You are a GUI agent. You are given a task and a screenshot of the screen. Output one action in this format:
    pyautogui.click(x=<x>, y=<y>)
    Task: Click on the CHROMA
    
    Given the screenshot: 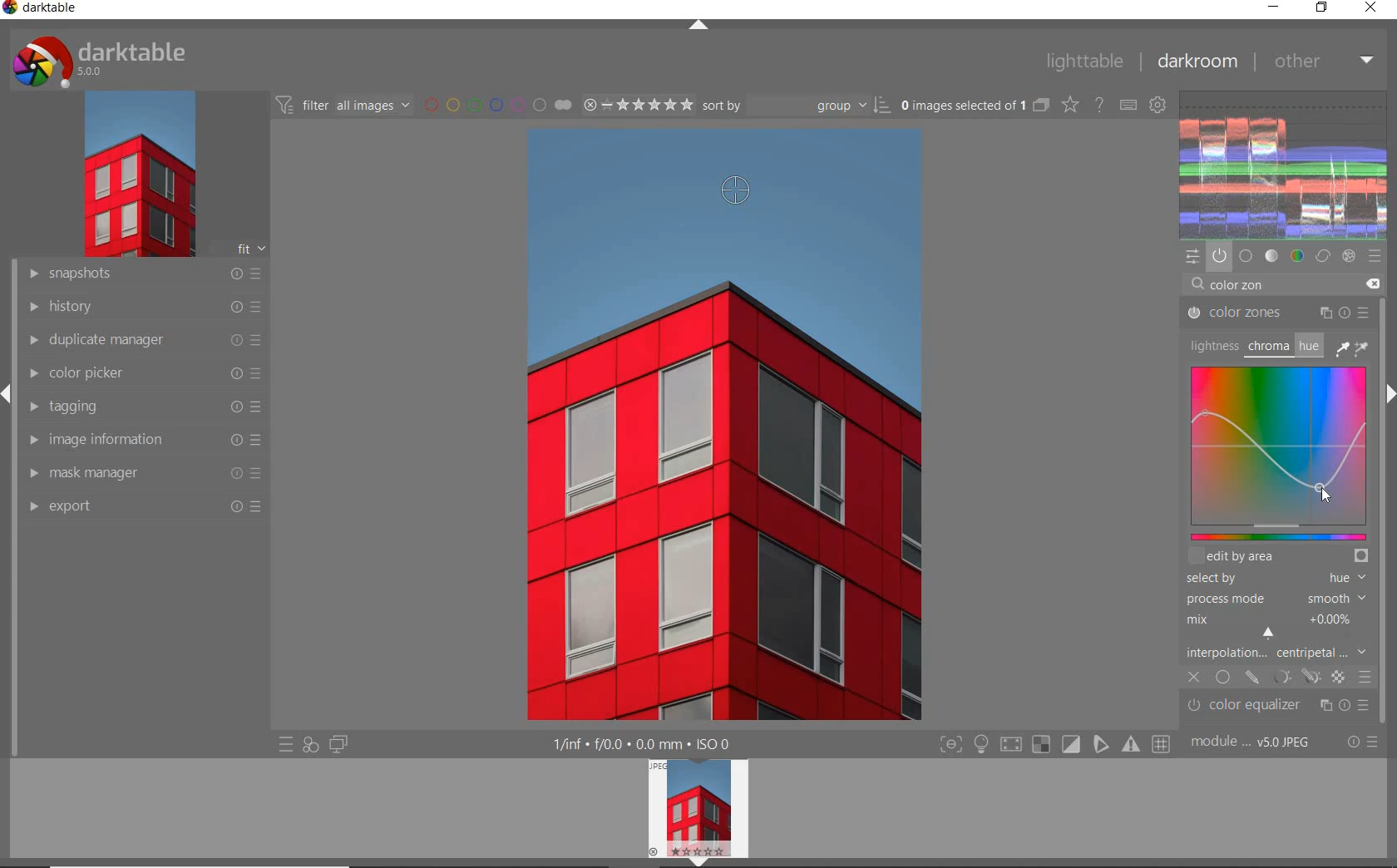 What is the action you would take?
    pyautogui.click(x=1267, y=348)
    